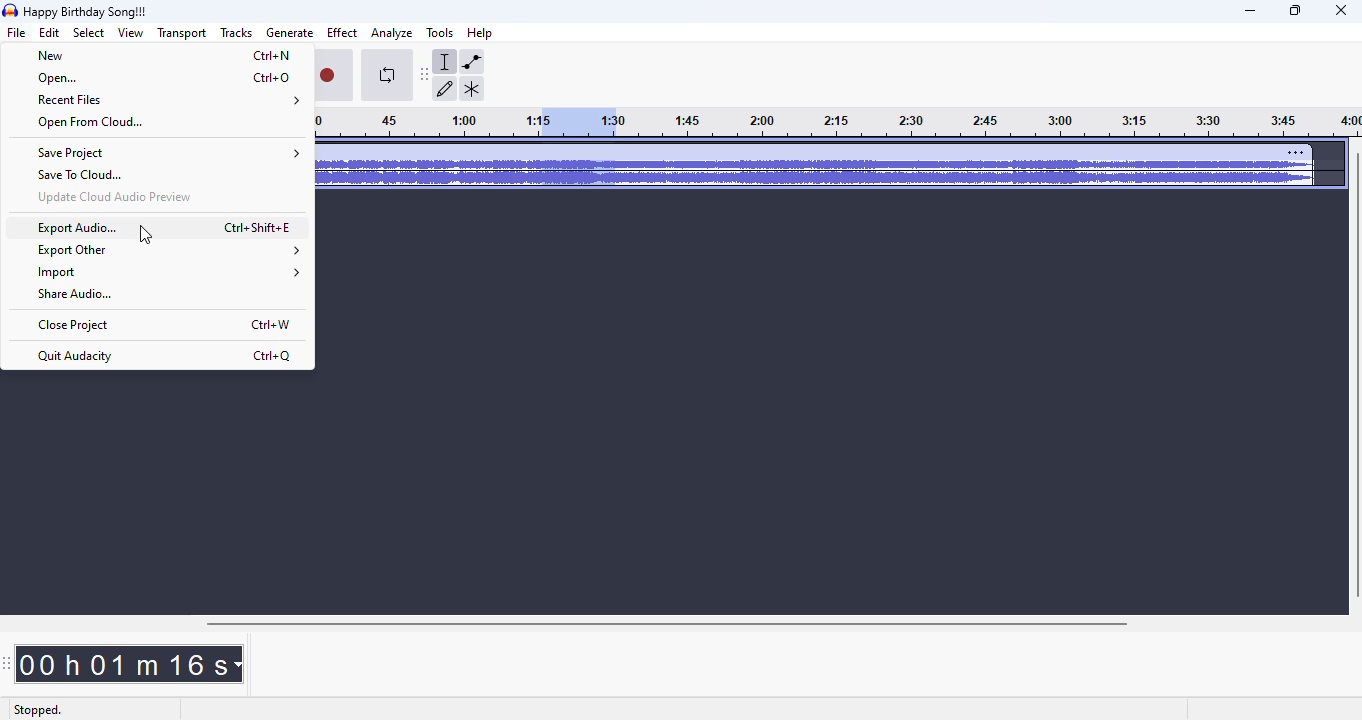 Image resolution: width=1362 pixels, height=720 pixels. What do you see at coordinates (273, 56) in the screenshot?
I see `shortcut for new` at bounding box center [273, 56].